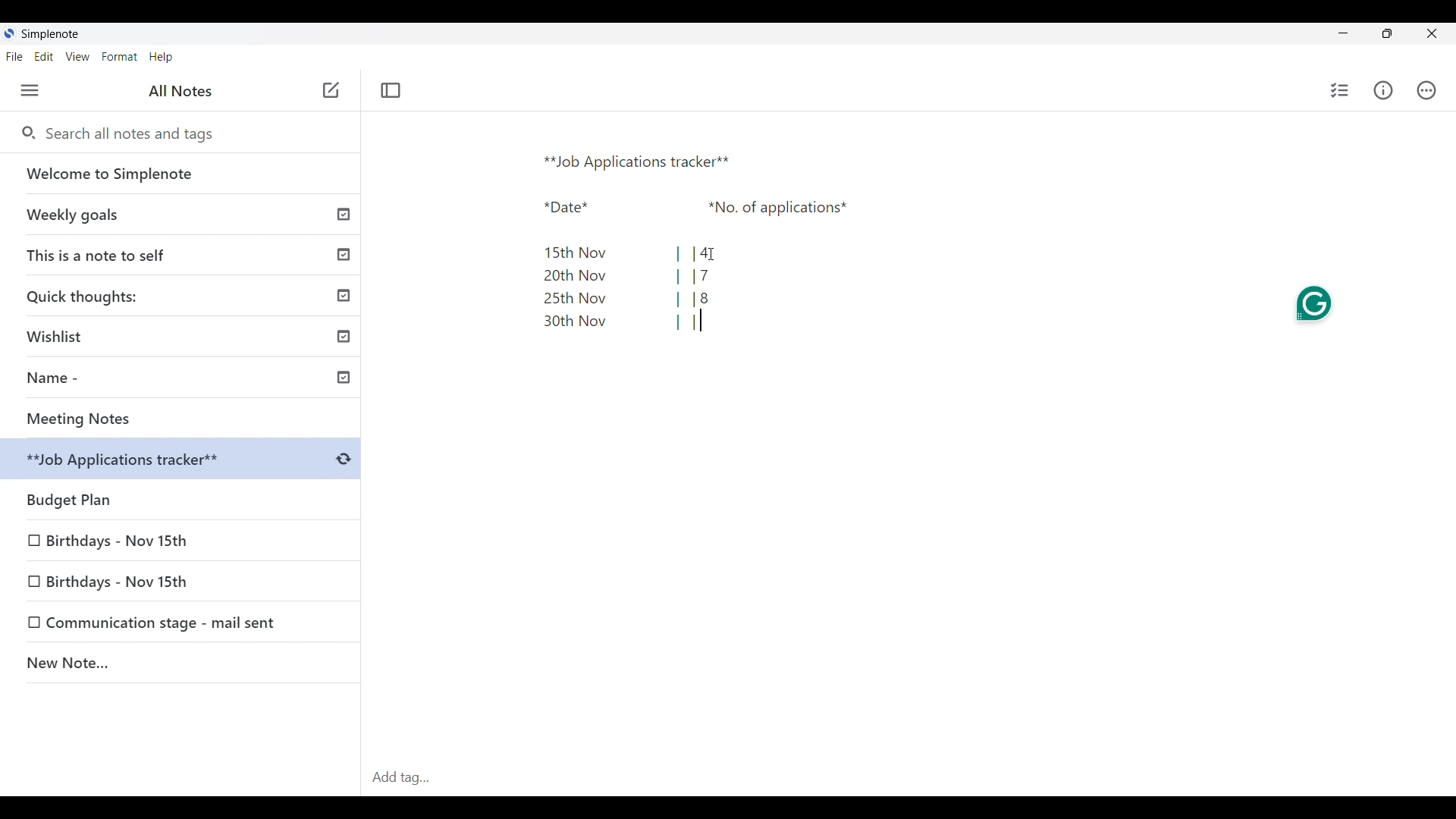 This screenshot has height=819, width=1456. What do you see at coordinates (14, 56) in the screenshot?
I see `File` at bounding box center [14, 56].